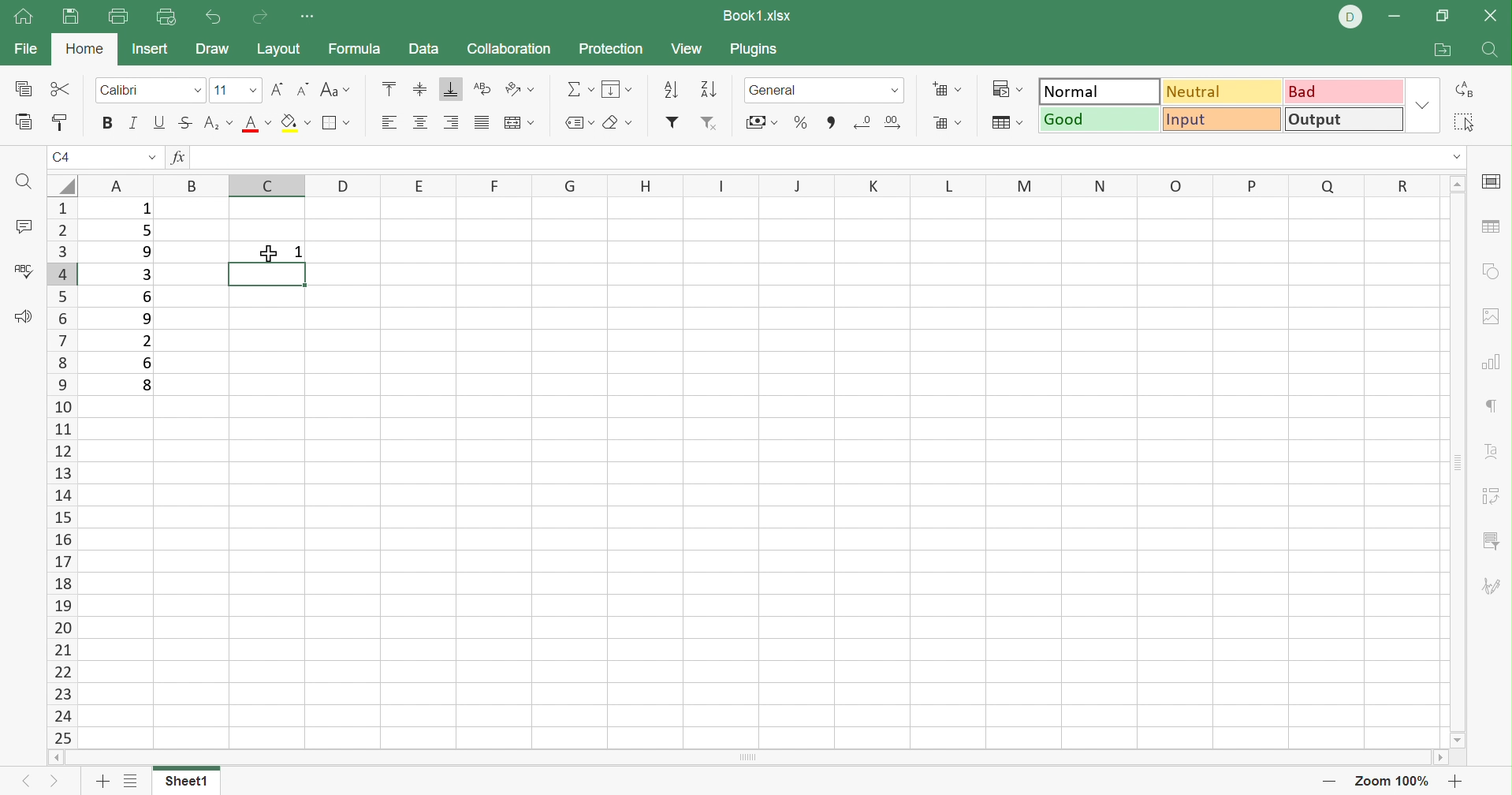  What do you see at coordinates (1422, 104) in the screenshot?
I see `Drop Down` at bounding box center [1422, 104].